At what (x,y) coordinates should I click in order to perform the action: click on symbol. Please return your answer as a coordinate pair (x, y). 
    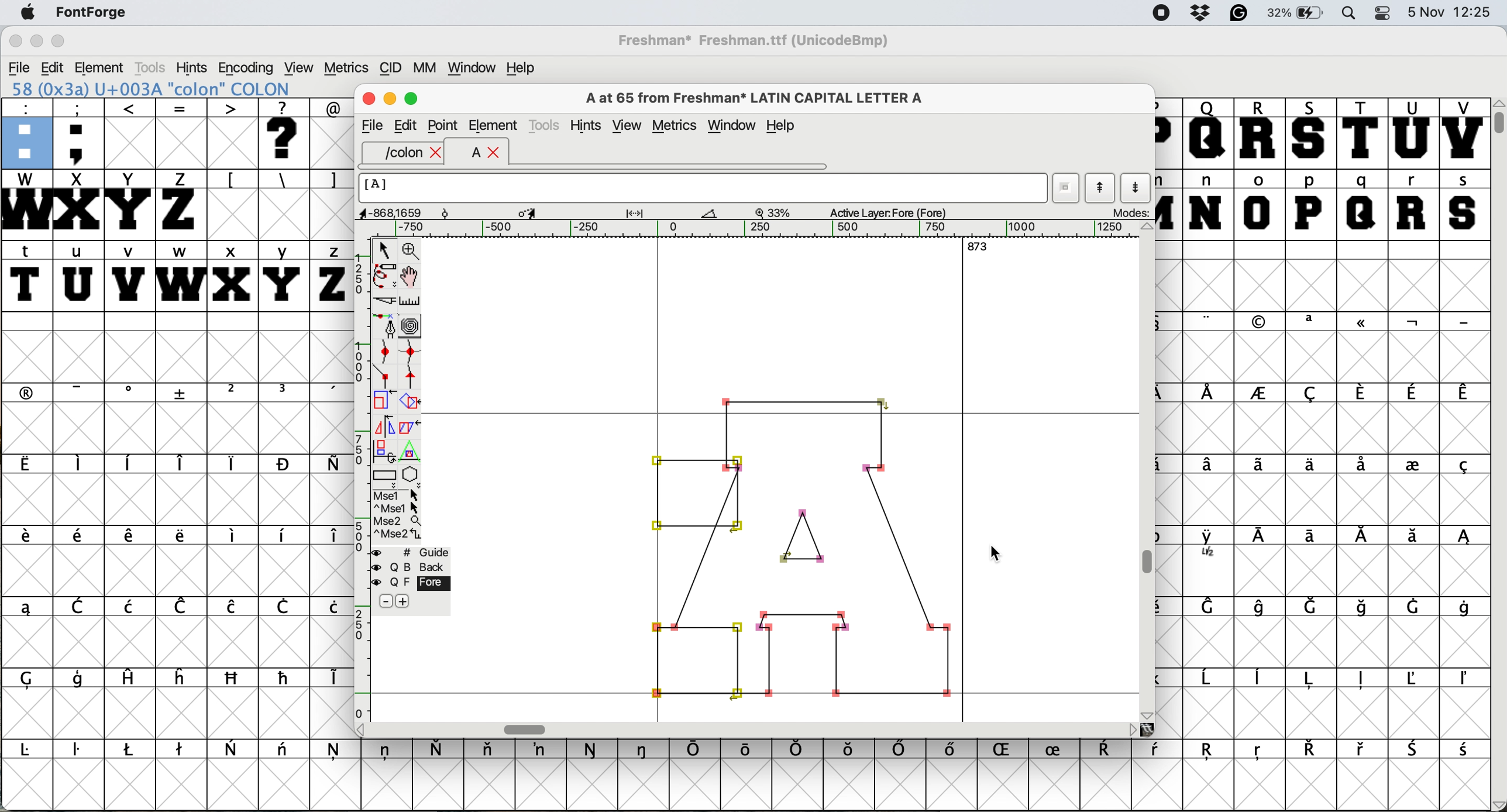
    Looking at the image, I should click on (35, 679).